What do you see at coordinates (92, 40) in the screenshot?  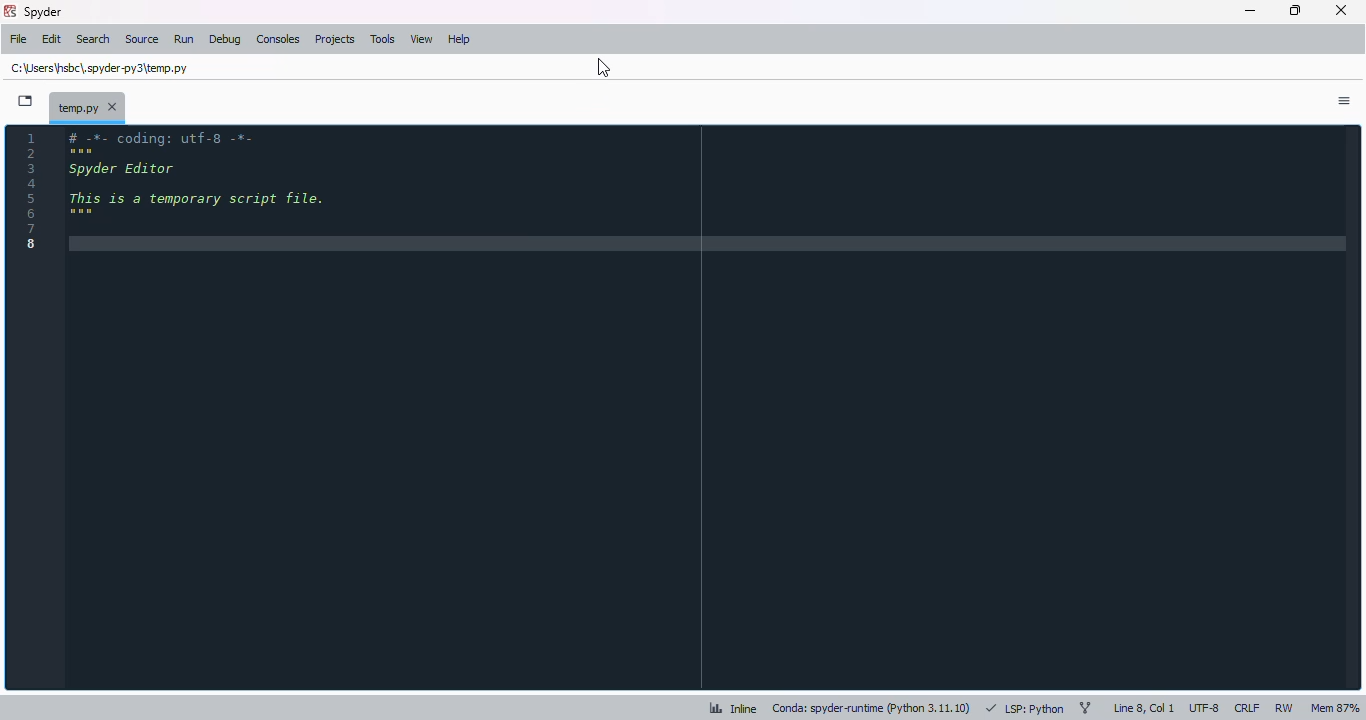 I see `search` at bounding box center [92, 40].